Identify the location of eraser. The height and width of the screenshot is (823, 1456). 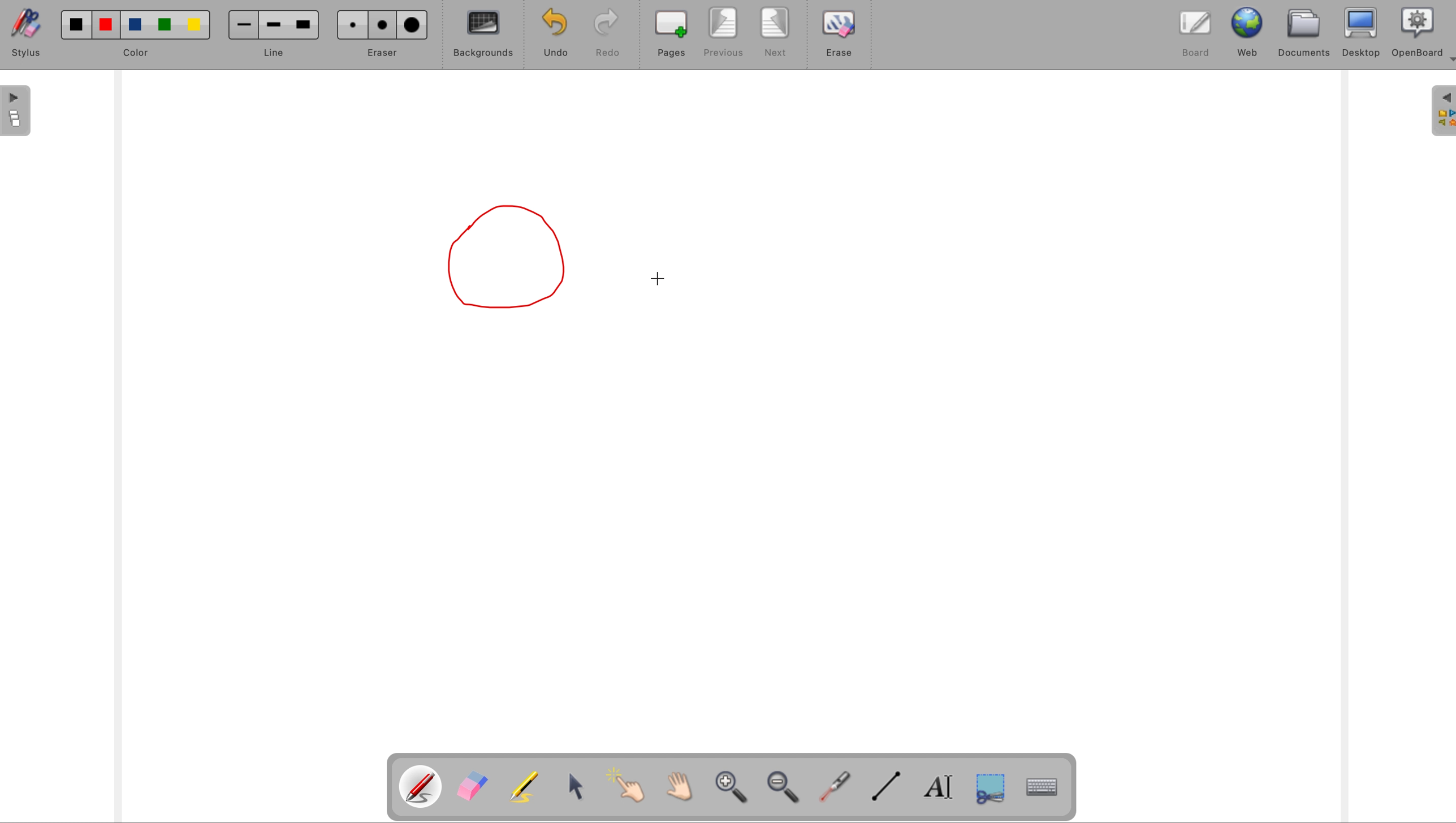
(473, 787).